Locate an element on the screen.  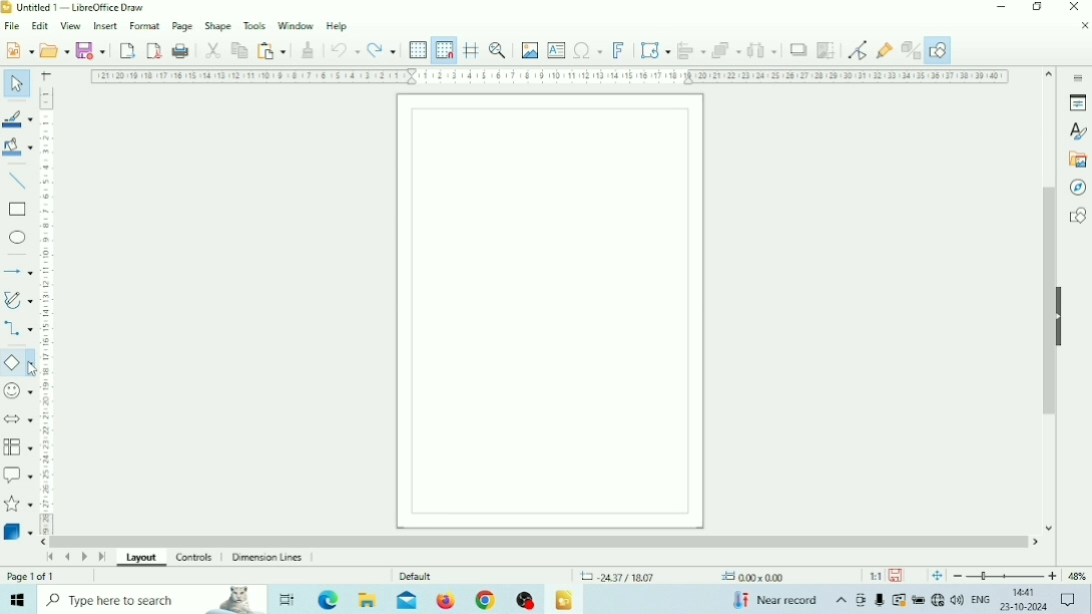
Insert Image is located at coordinates (530, 50).